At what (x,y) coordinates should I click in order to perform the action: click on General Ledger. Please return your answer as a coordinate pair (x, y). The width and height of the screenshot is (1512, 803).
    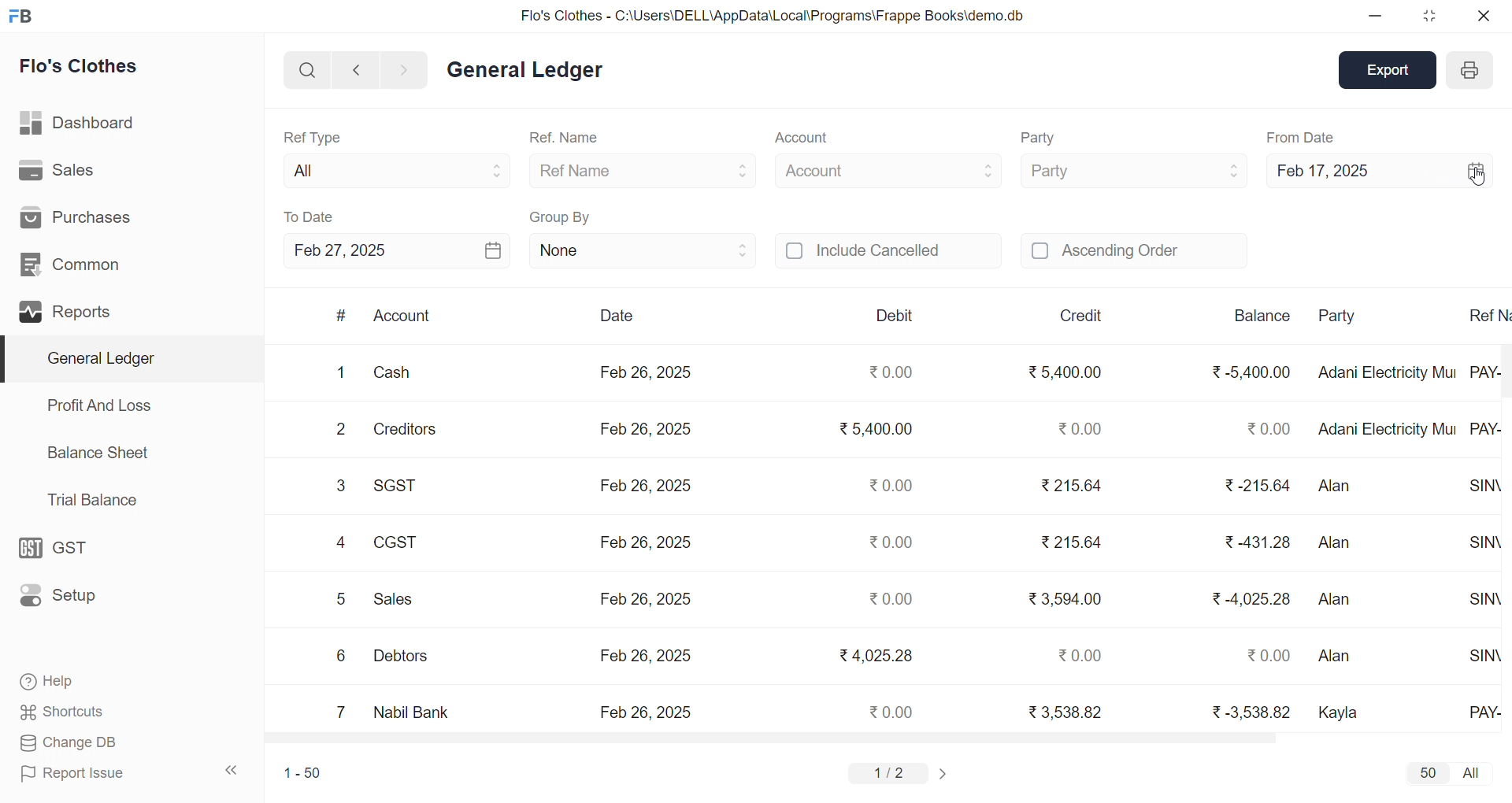
    Looking at the image, I should click on (524, 71).